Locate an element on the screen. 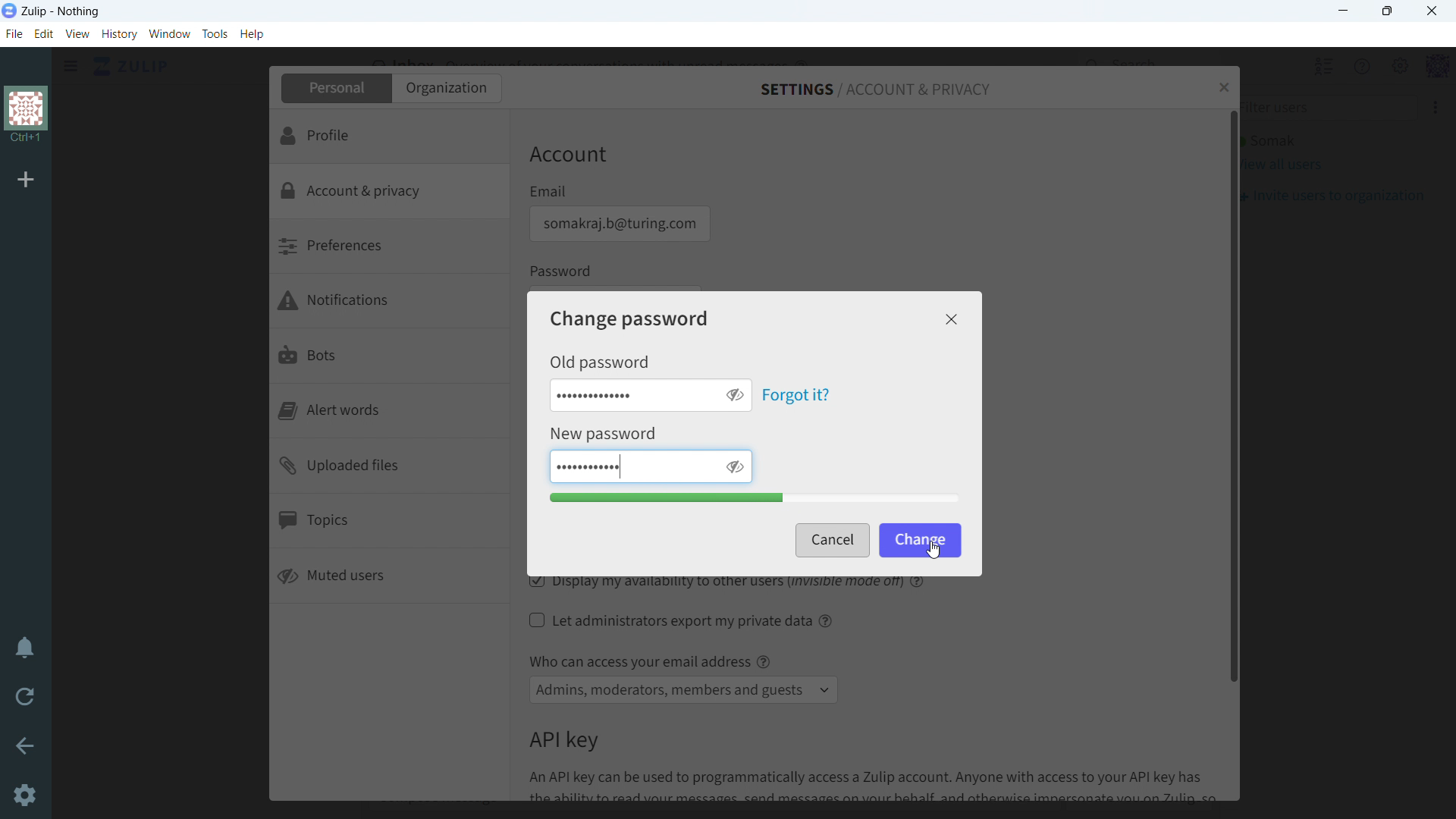 This screenshot has width=1456, height=819. Cursor is located at coordinates (932, 549).